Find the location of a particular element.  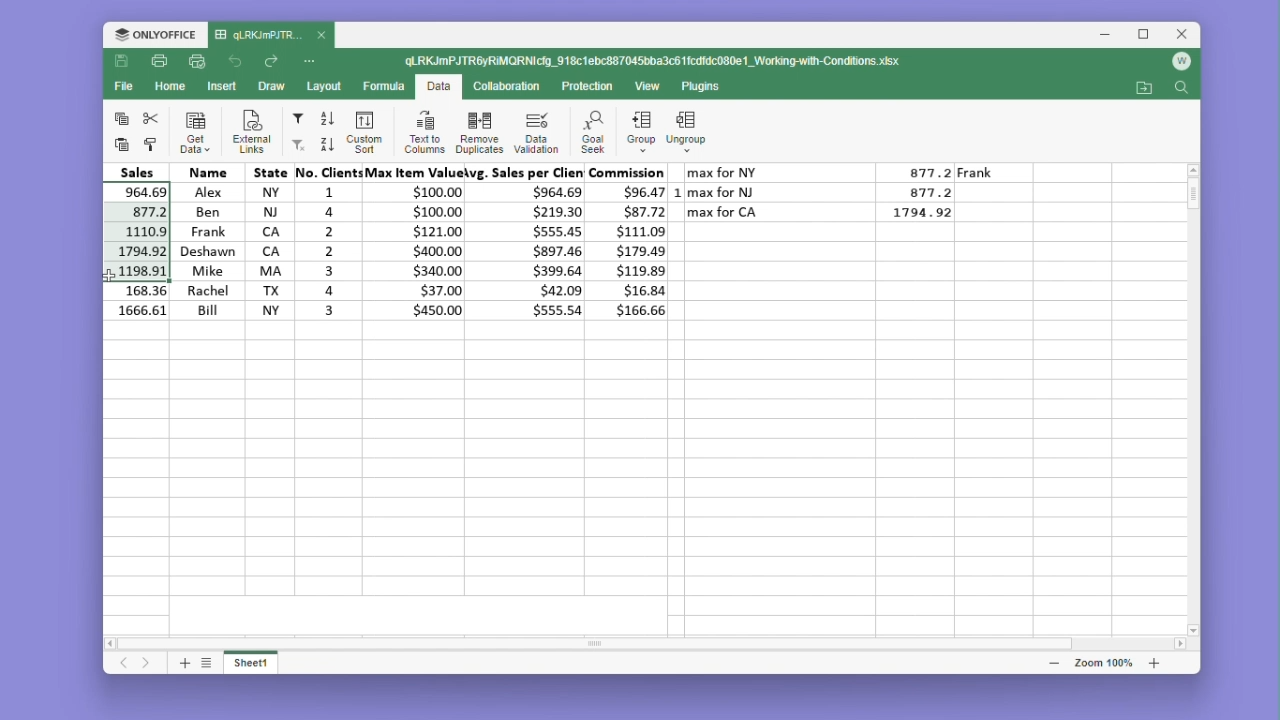

mouse pointer is located at coordinates (115, 273).